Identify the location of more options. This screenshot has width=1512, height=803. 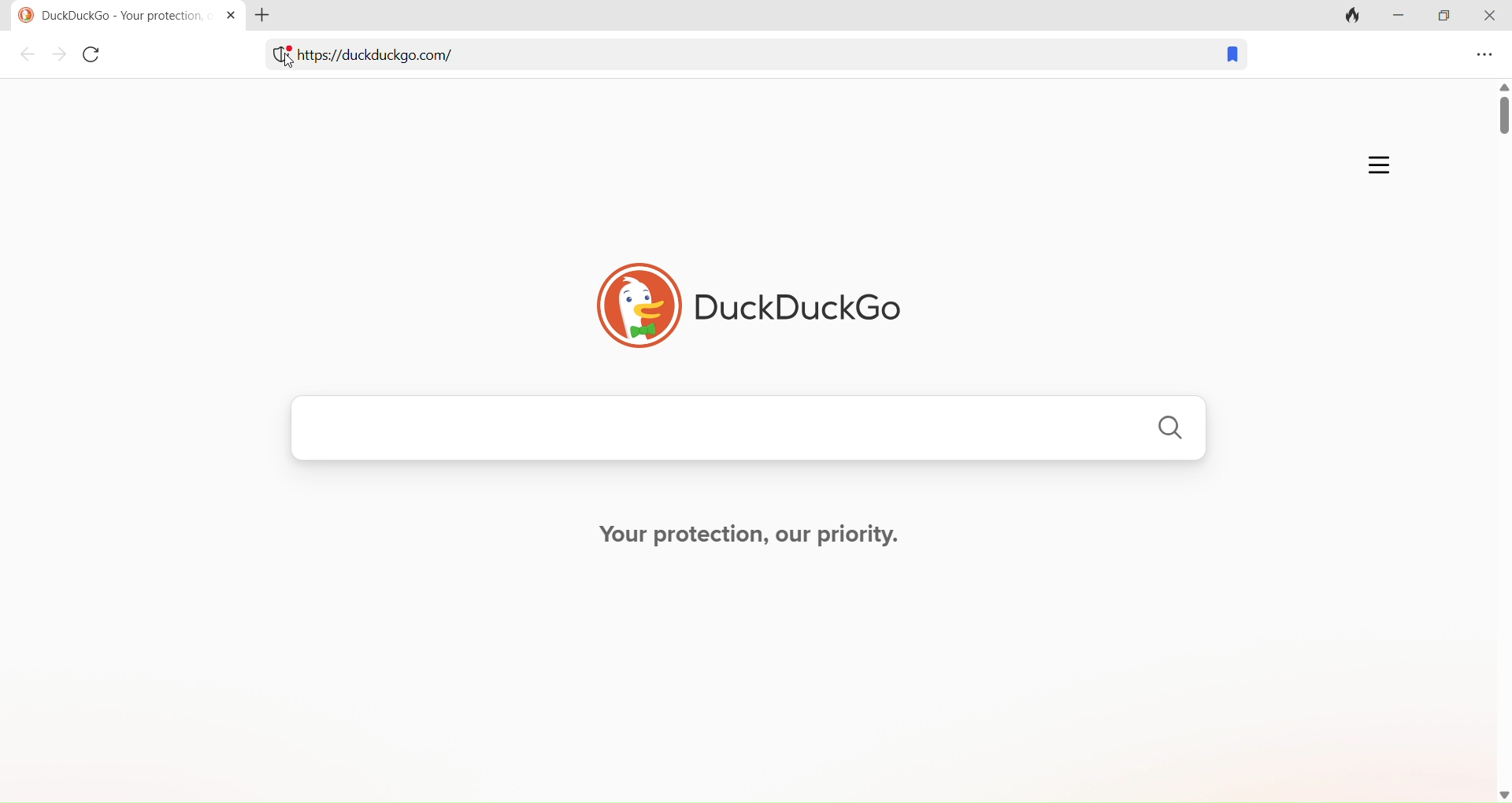
(1374, 162).